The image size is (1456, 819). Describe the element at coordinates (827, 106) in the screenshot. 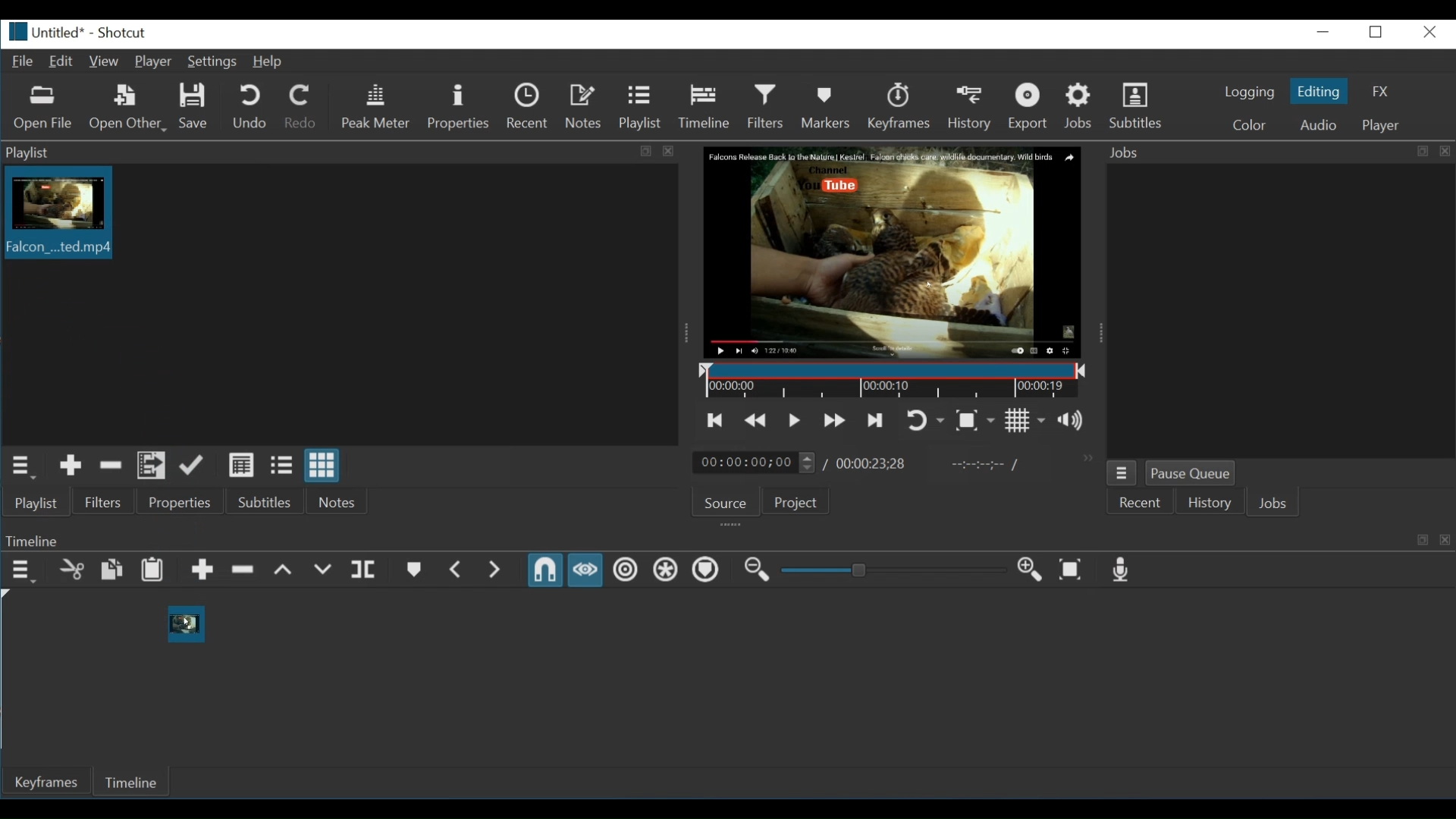

I see `Markers` at that location.